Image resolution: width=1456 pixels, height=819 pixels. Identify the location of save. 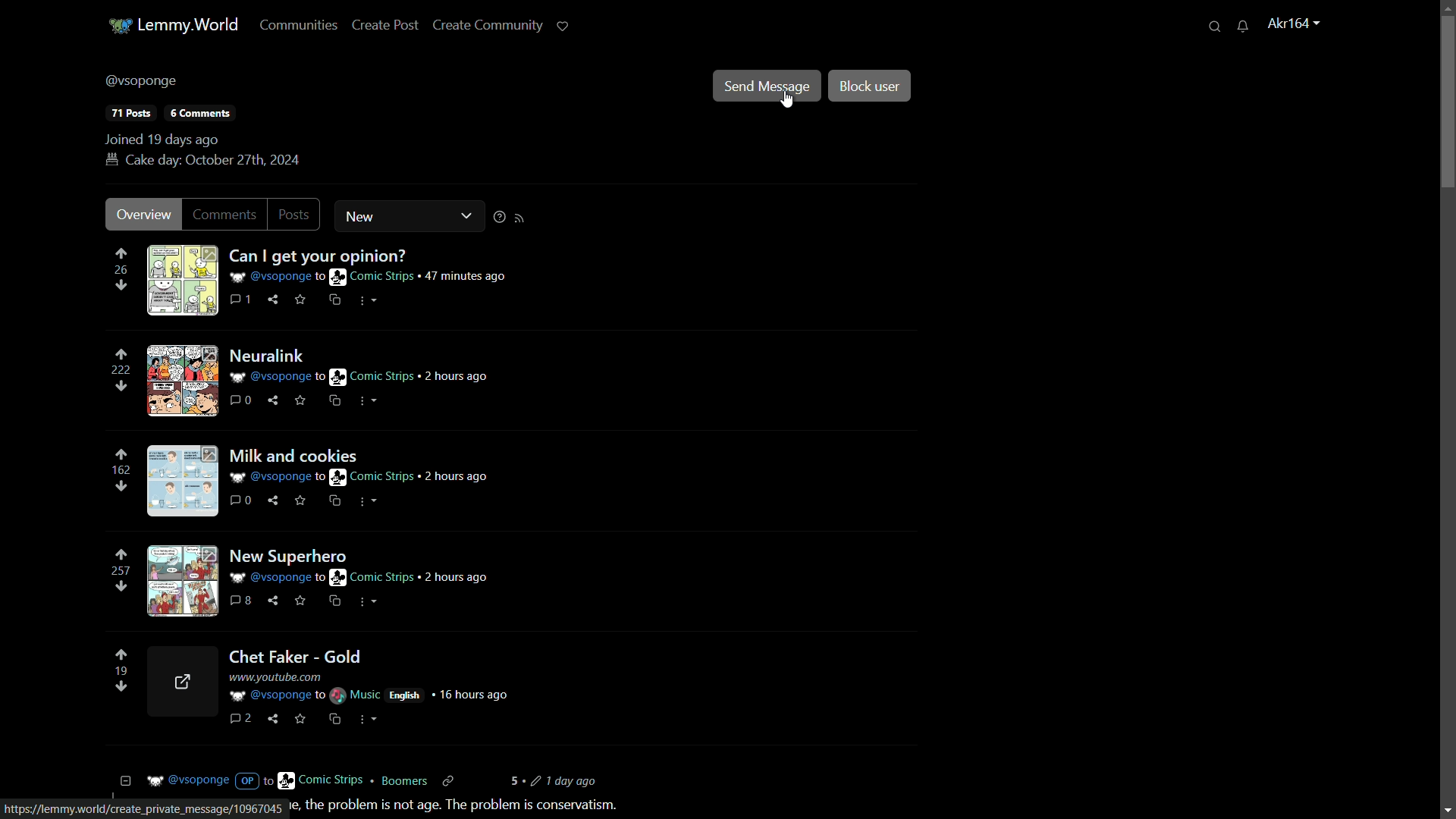
(302, 716).